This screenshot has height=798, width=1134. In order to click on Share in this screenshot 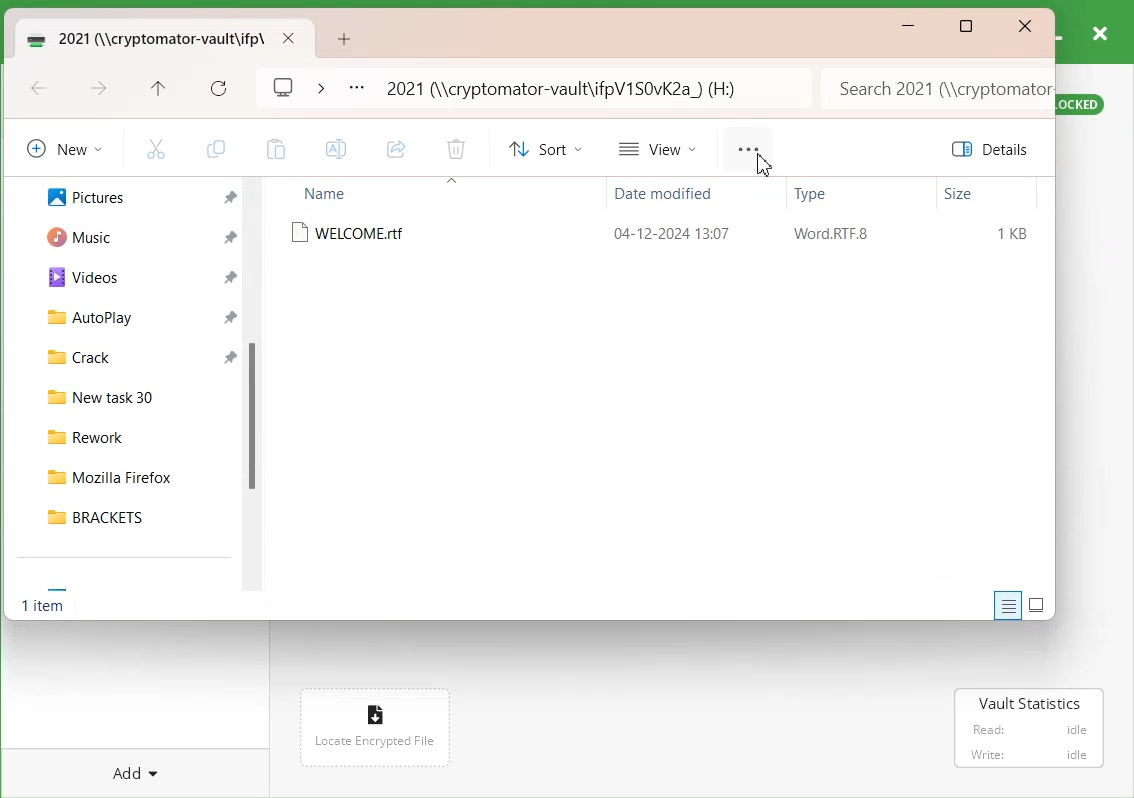, I will do `click(396, 150)`.